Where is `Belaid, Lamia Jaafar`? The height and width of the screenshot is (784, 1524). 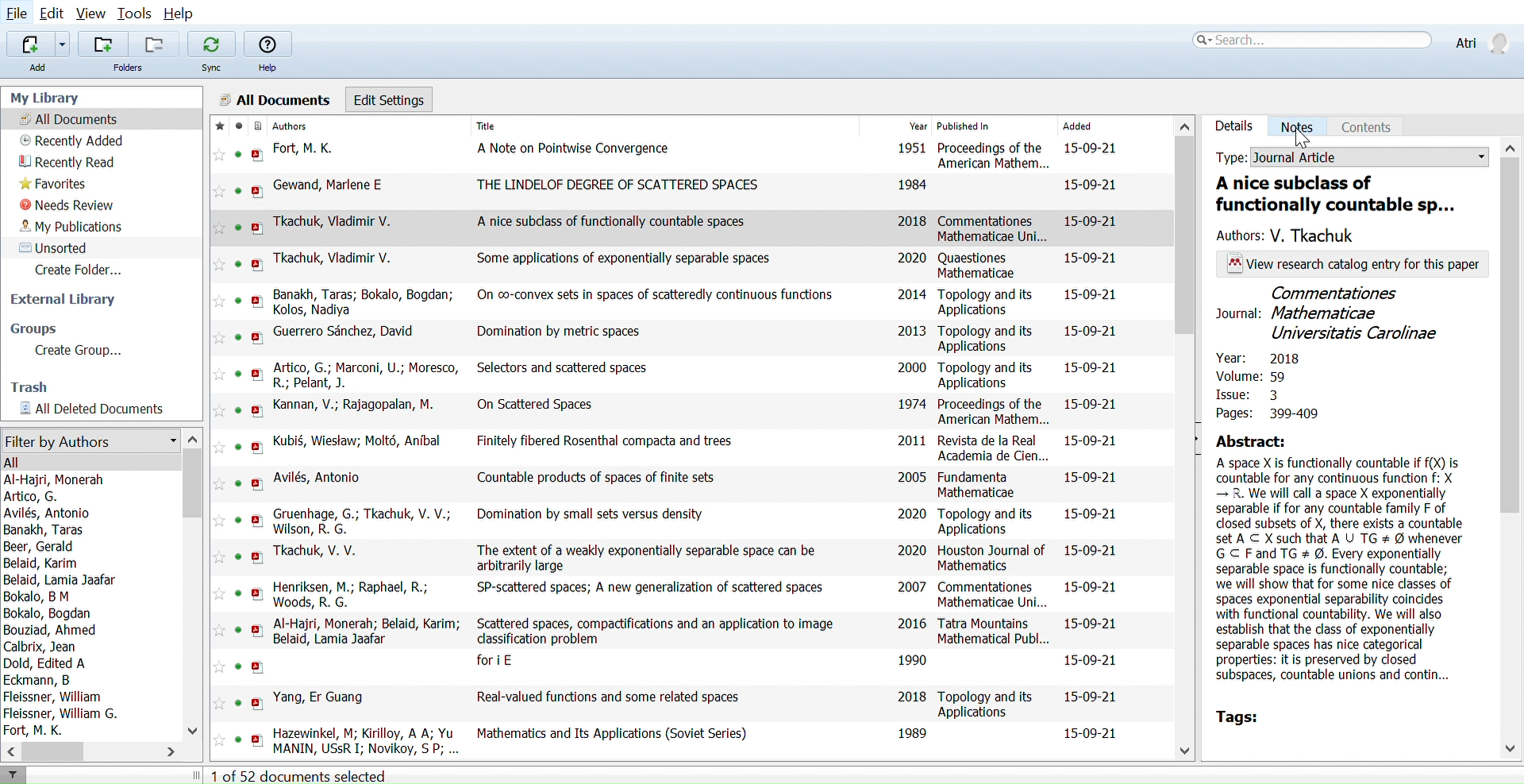 Belaid, Lamia Jaafar is located at coordinates (63, 580).